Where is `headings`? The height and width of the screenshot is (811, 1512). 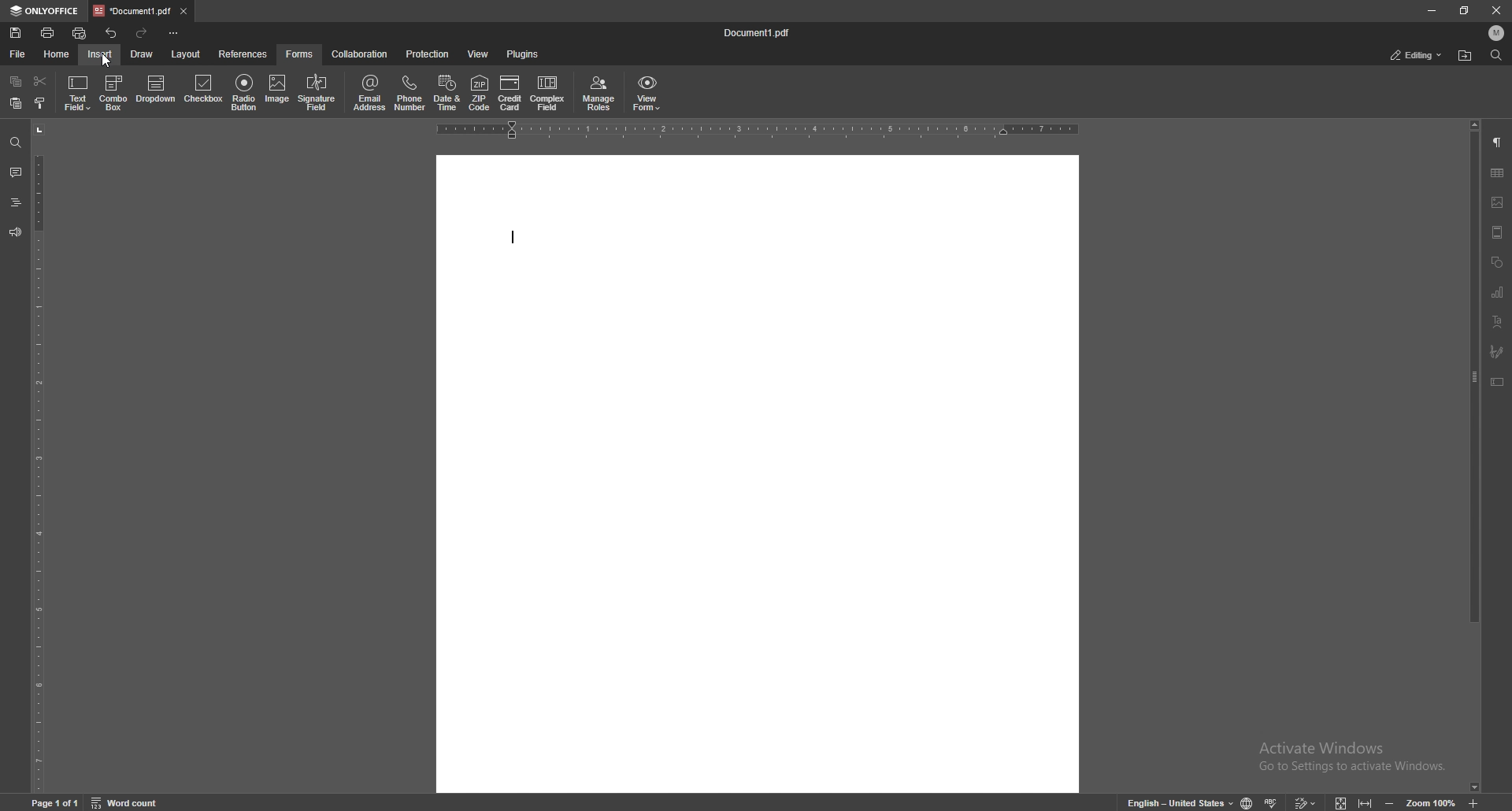
headings is located at coordinates (16, 202).